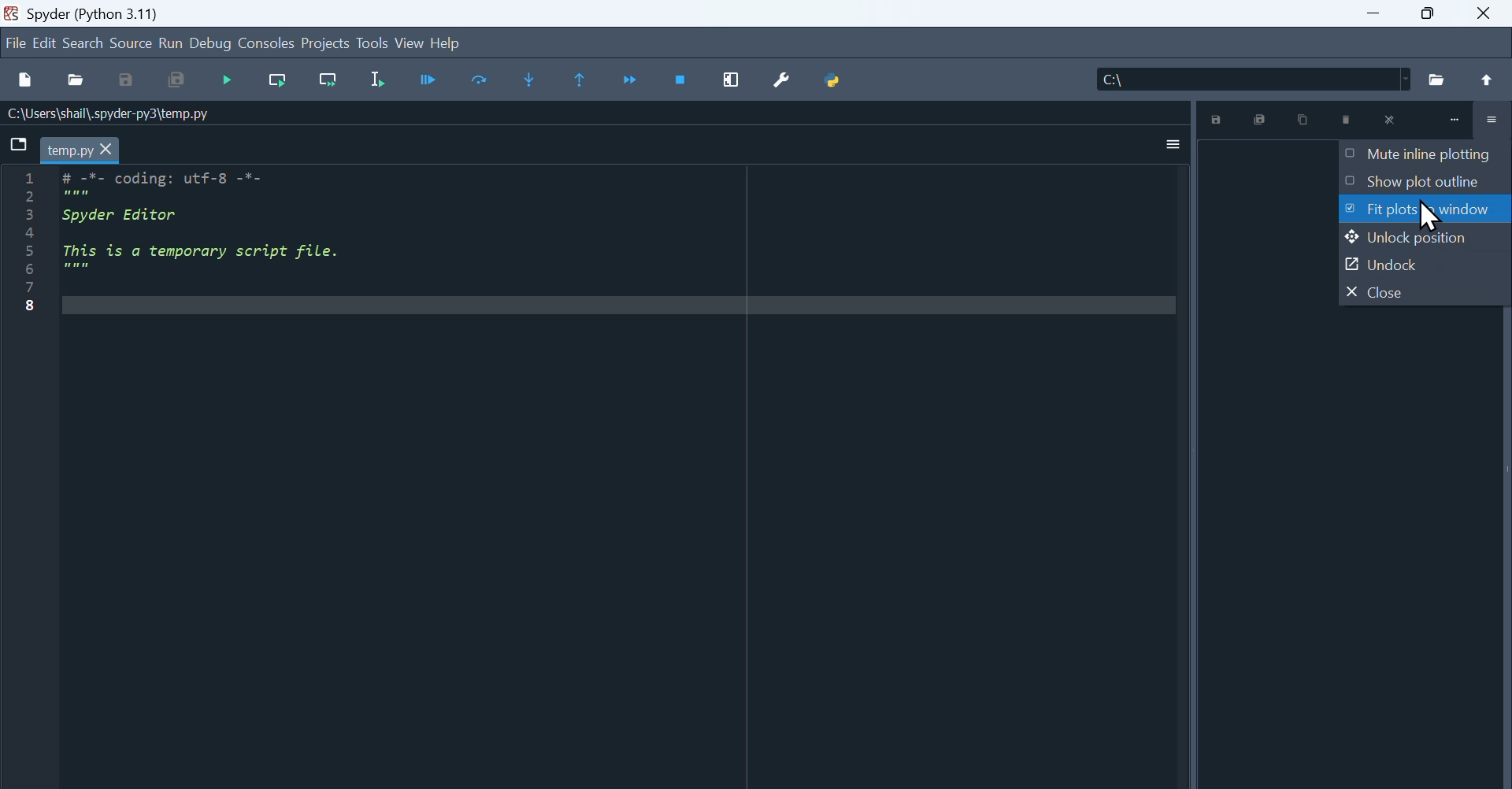  I want to click on Edit, so click(43, 43).